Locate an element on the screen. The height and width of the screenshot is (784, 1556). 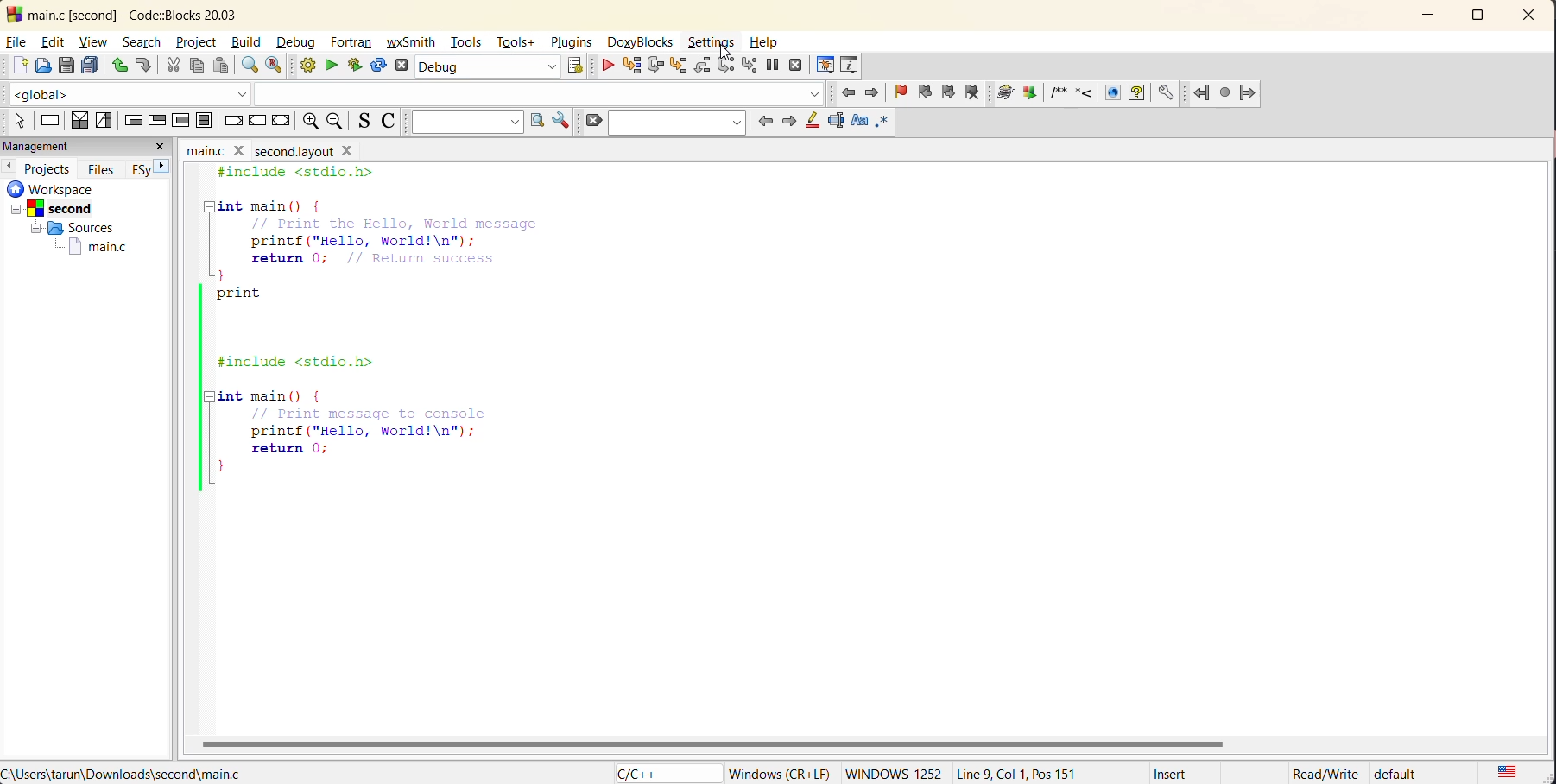
step into instruction is located at coordinates (749, 65).